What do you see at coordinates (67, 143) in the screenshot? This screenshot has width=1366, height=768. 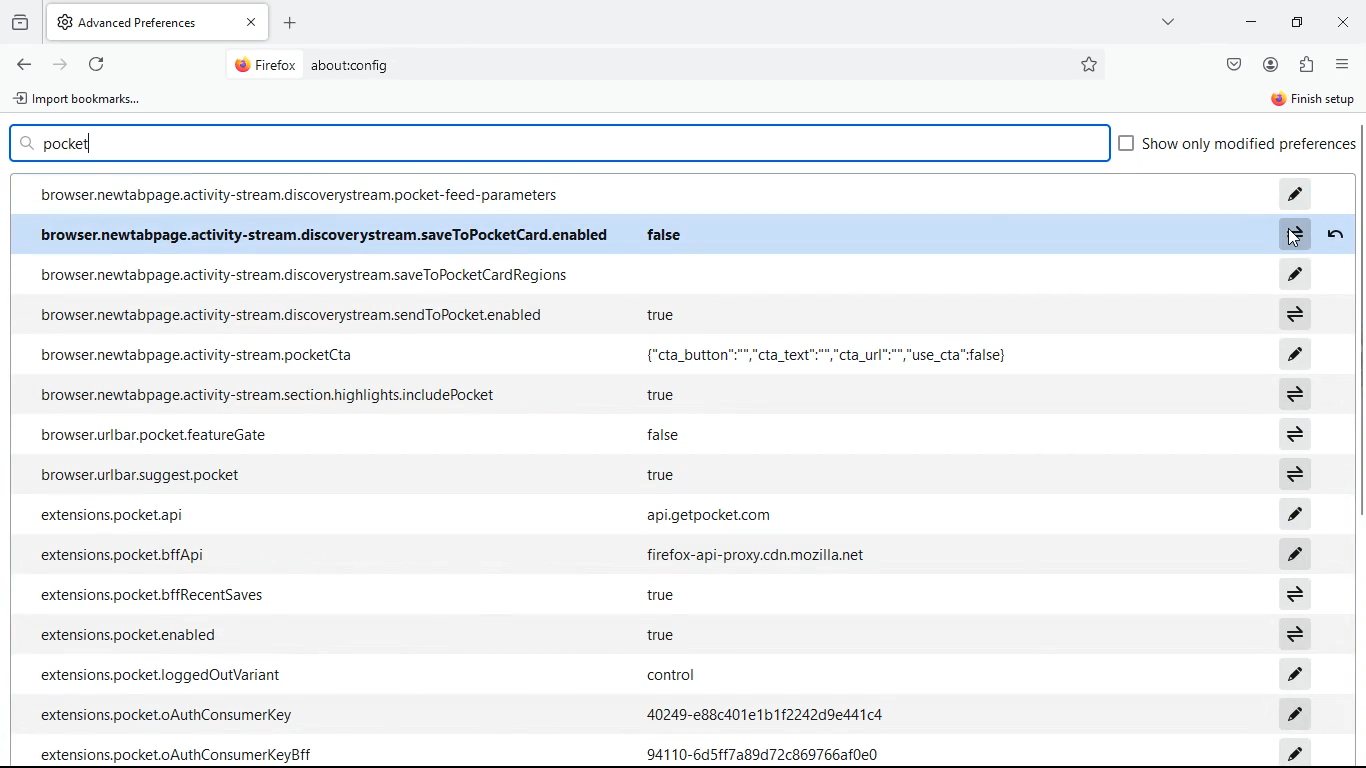 I see `pocket` at bounding box center [67, 143].